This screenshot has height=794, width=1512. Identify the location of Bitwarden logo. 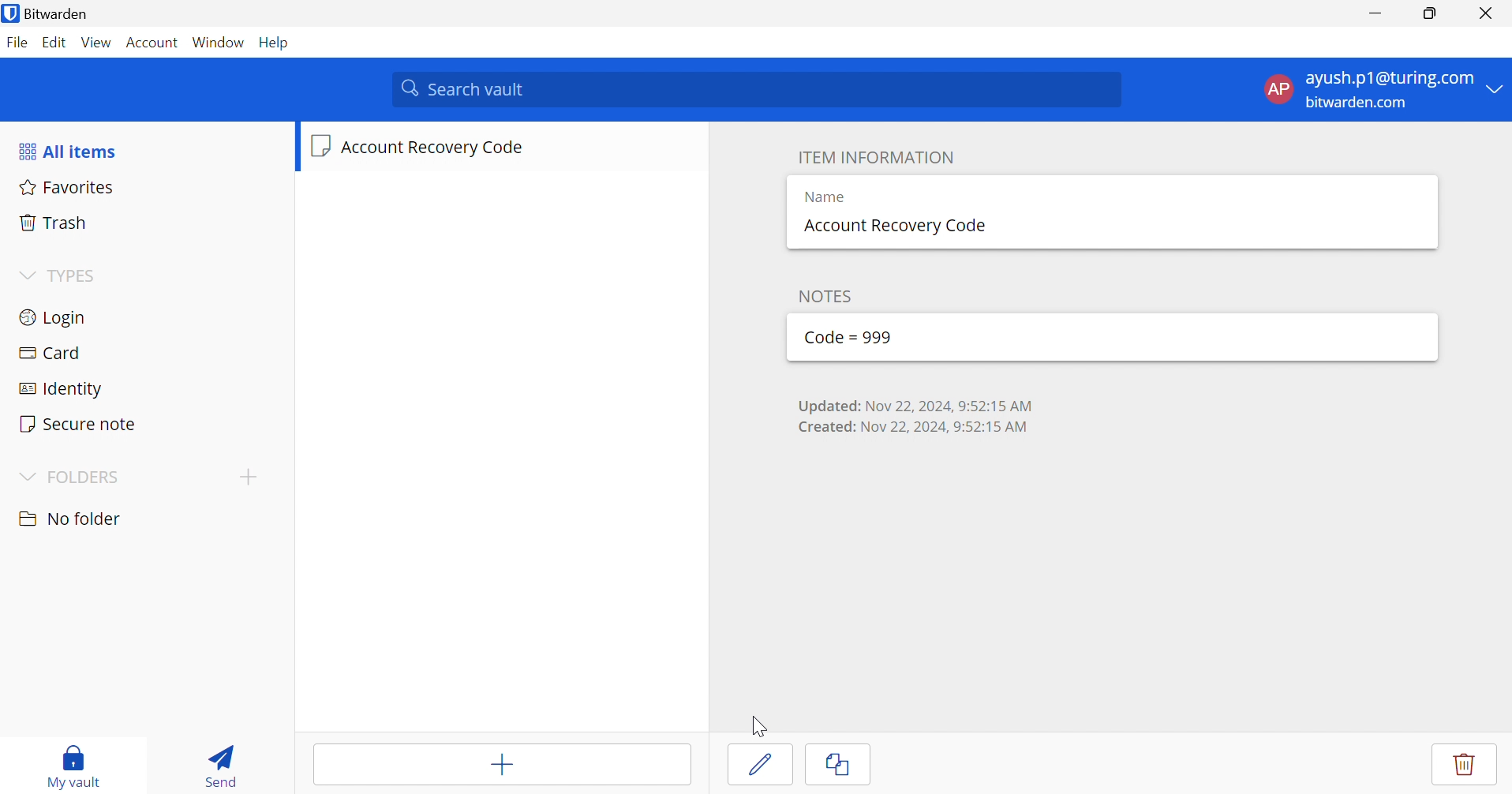
(9, 13).